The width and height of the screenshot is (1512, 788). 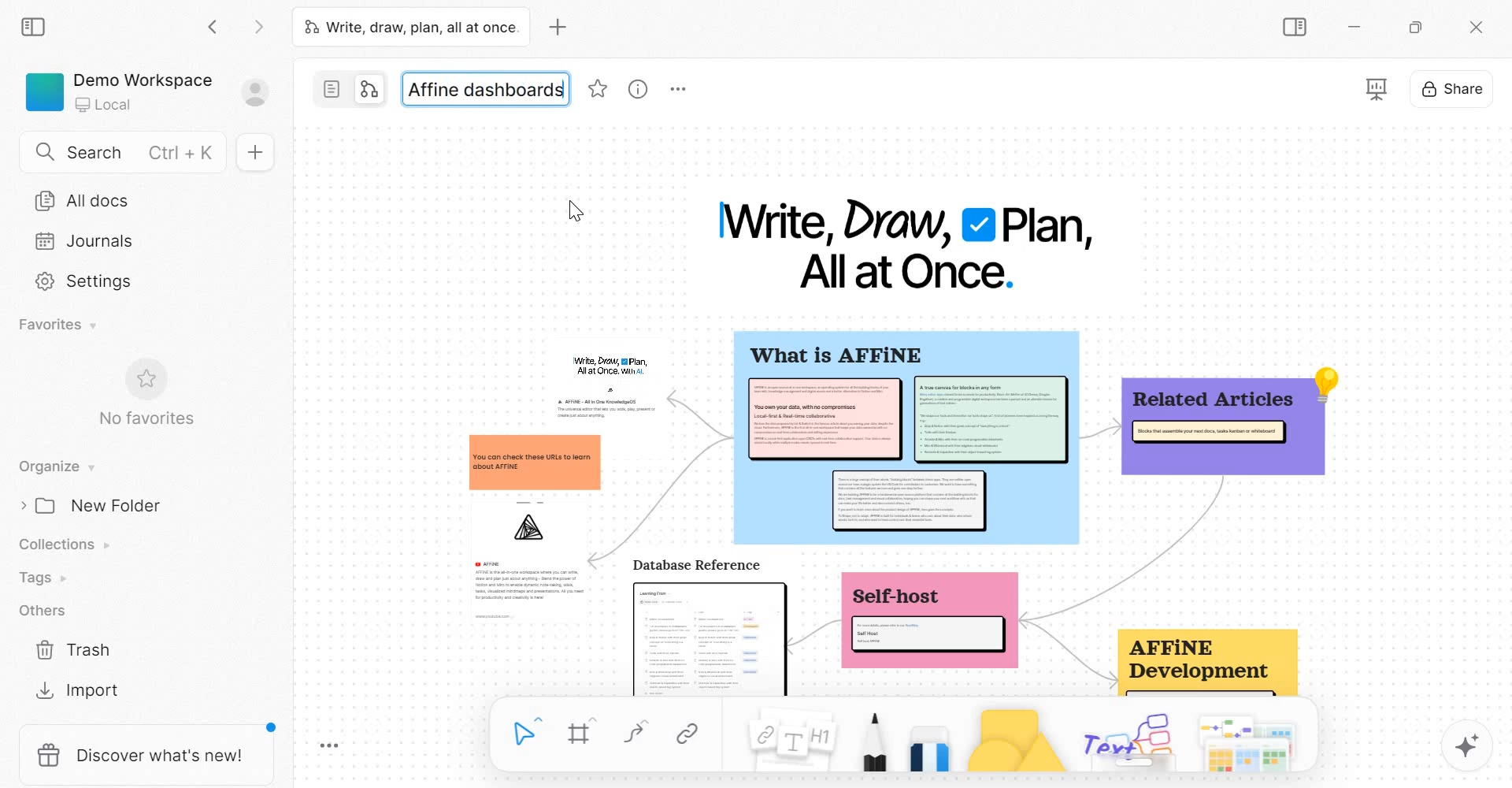 What do you see at coordinates (899, 513) in the screenshot?
I see `mind map` at bounding box center [899, 513].